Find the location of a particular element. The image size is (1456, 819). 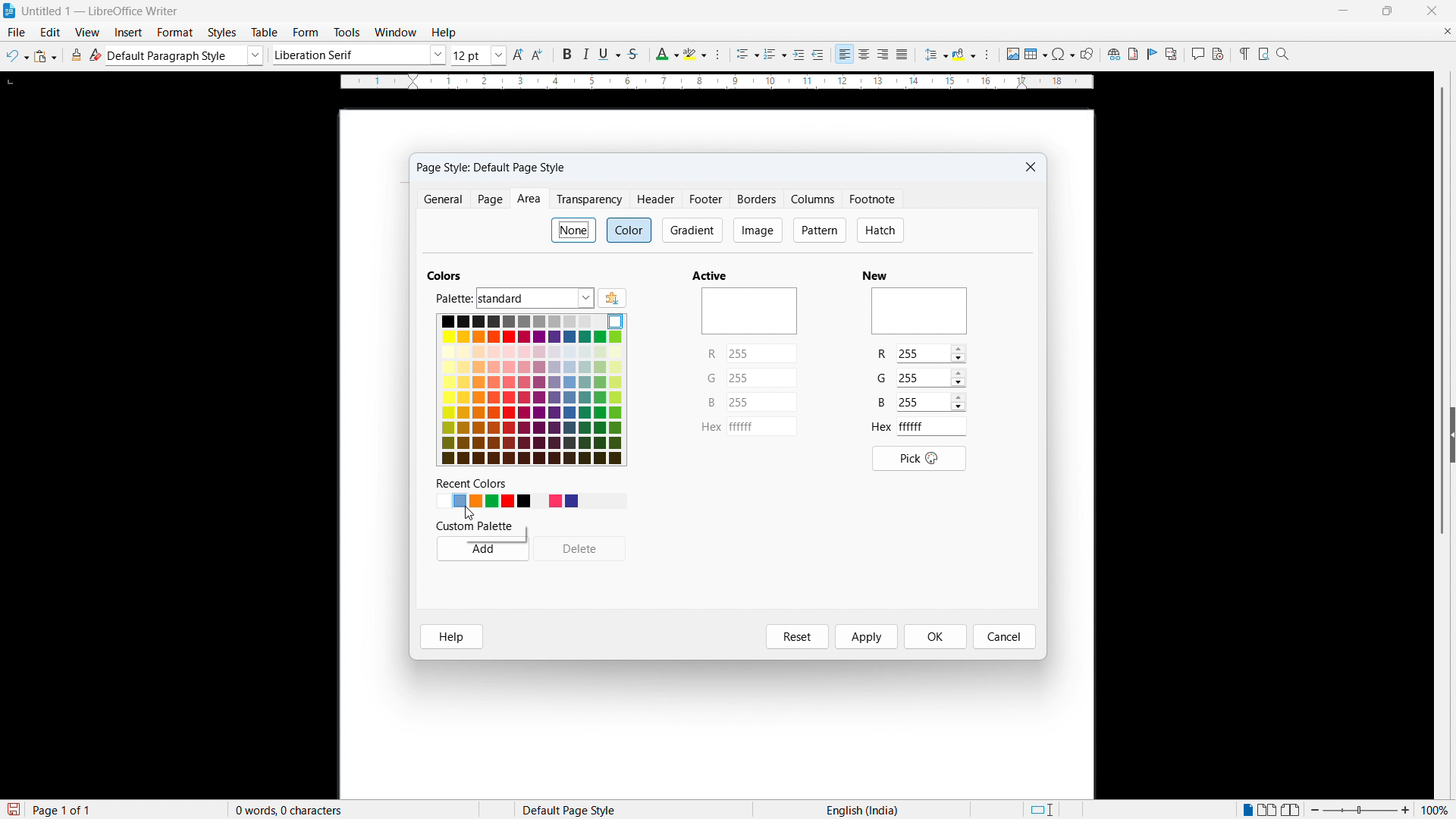

none  is located at coordinates (576, 231).